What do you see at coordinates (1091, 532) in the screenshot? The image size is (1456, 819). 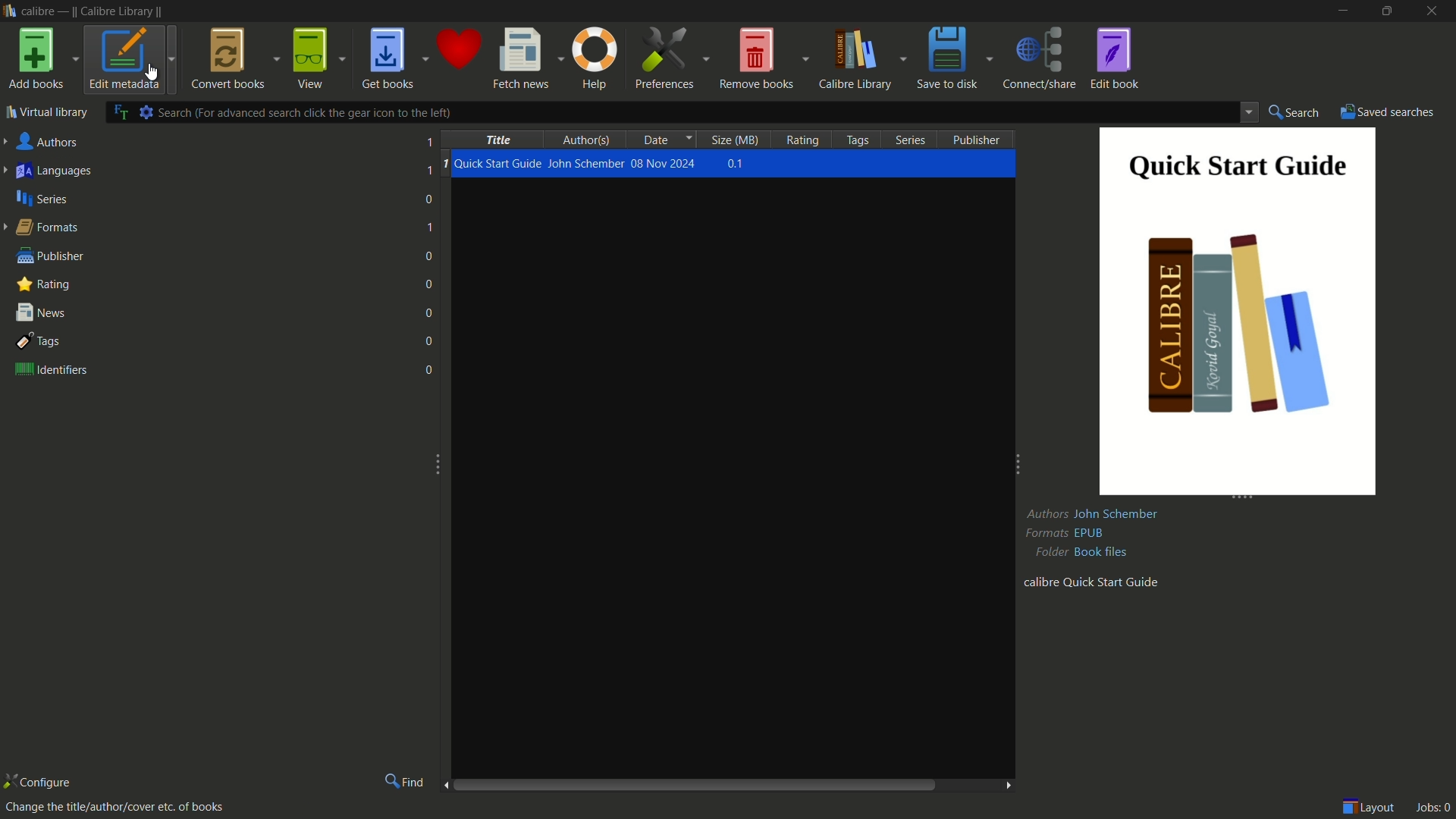 I see `epub` at bounding box center [1091, 532].